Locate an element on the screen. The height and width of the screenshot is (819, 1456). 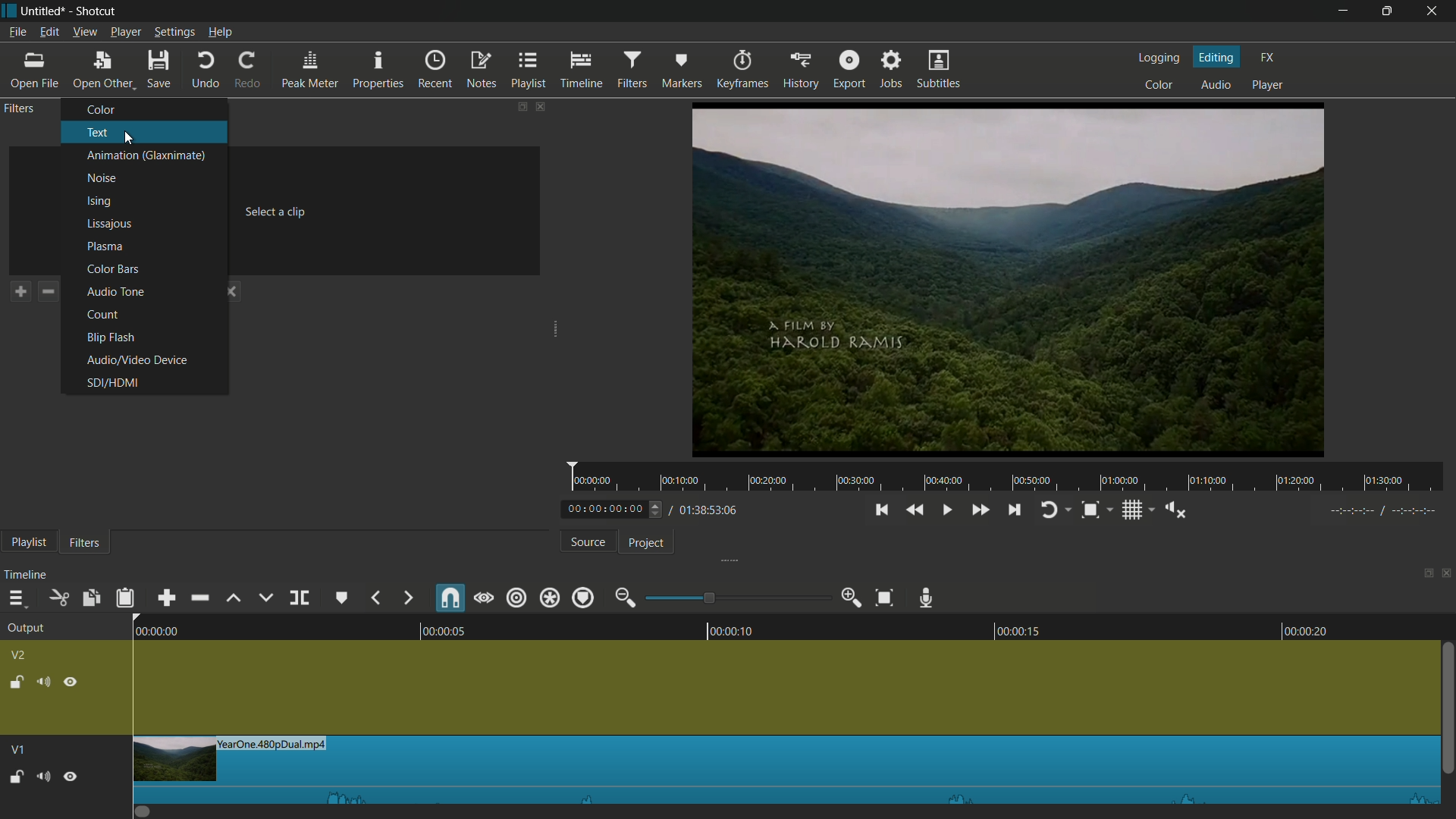
markers is located at coordinates (680, 71).